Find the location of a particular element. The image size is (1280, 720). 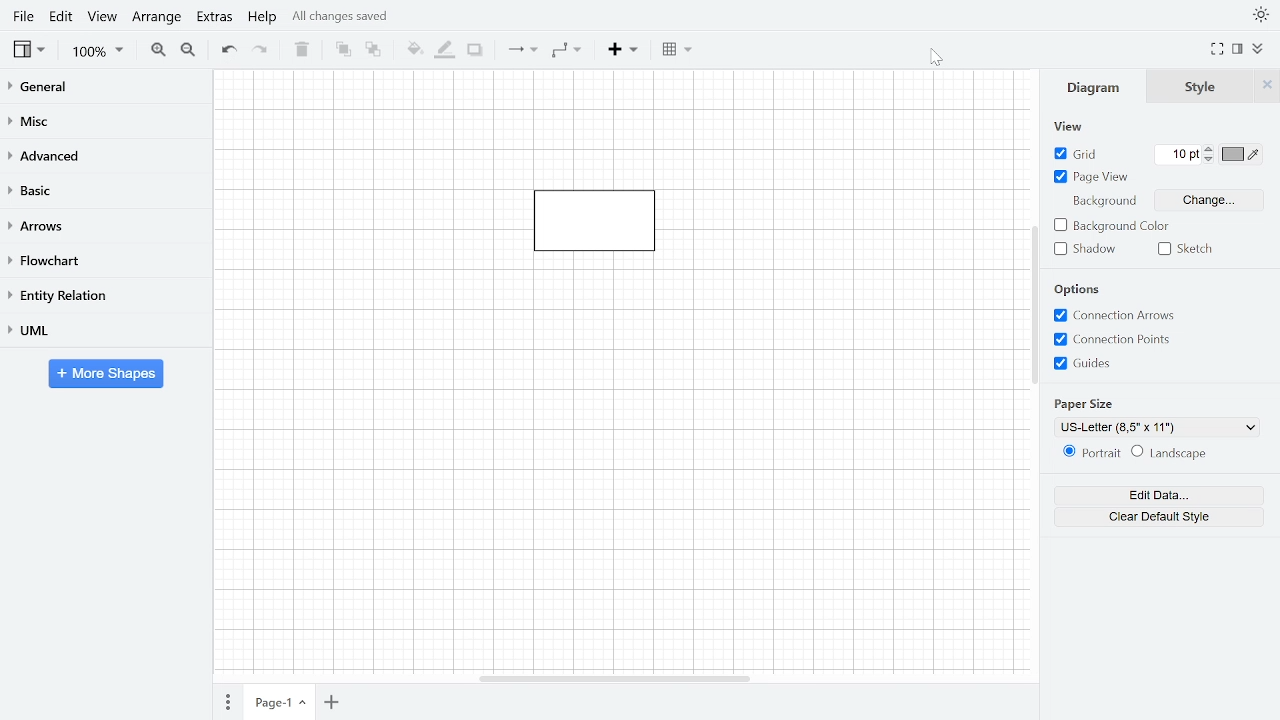

Current grid is located at coordinates (1179, 154).